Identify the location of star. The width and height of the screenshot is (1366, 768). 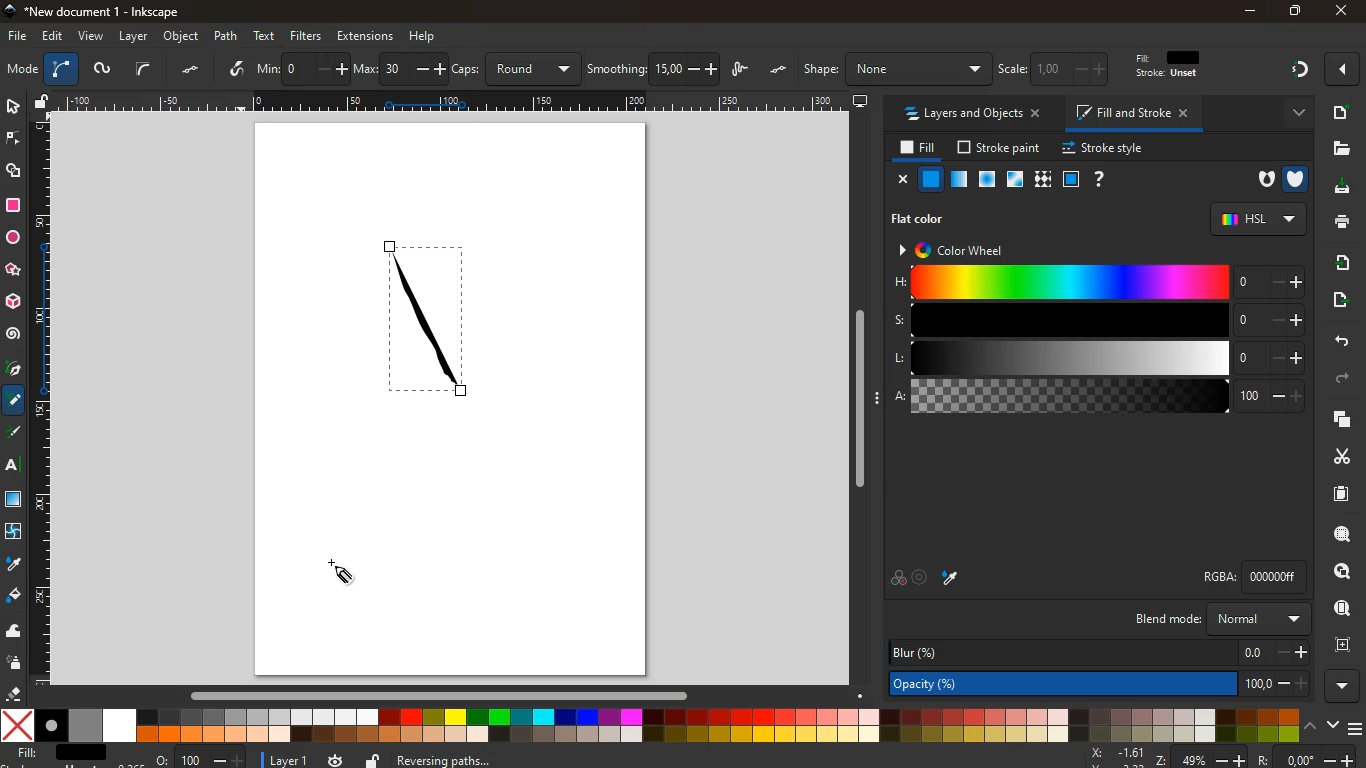
(13, 271).